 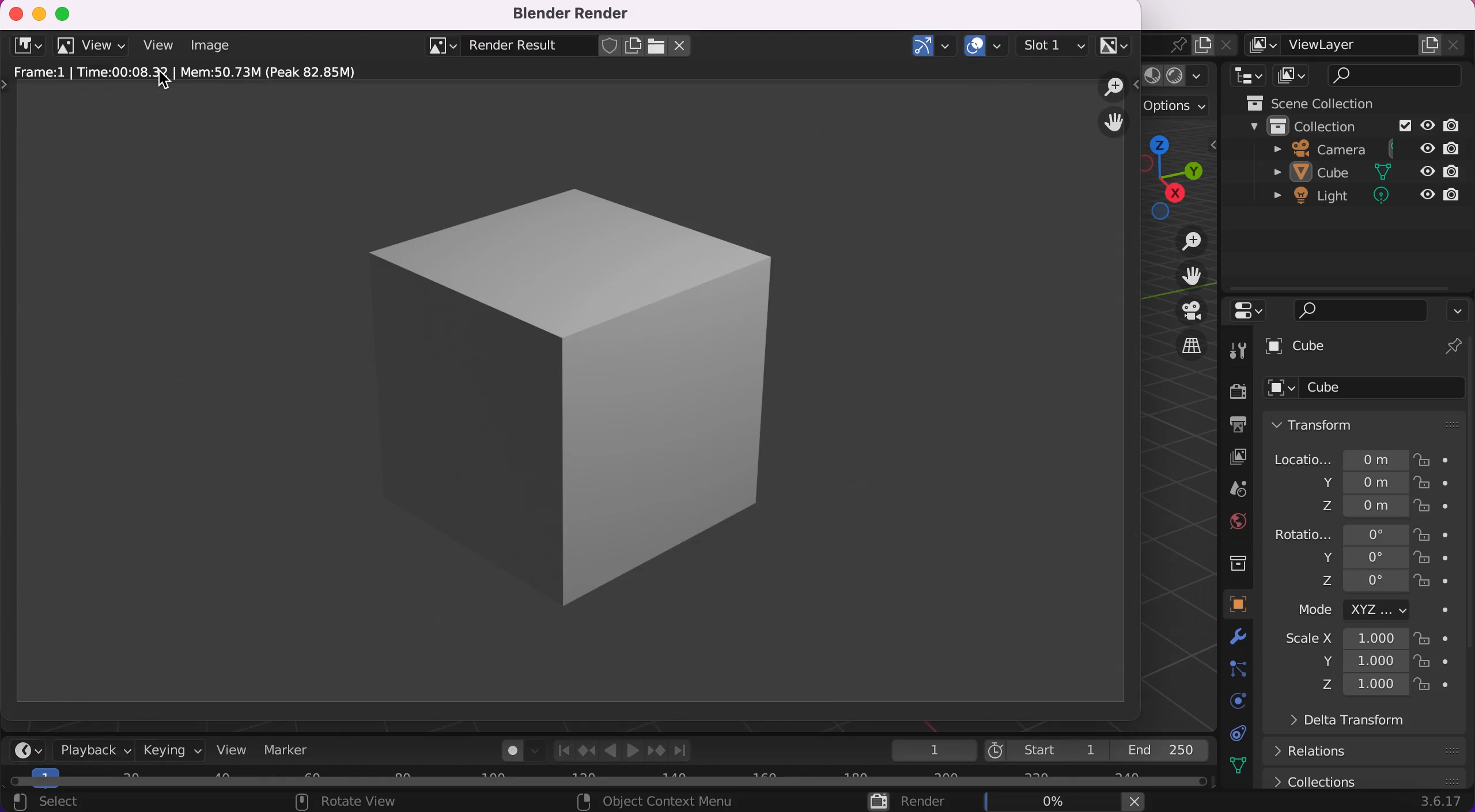 What do you see at coordinates (1333, 507) in the screenshot?
I see `z 0m` at bounding box center [1333, 507].